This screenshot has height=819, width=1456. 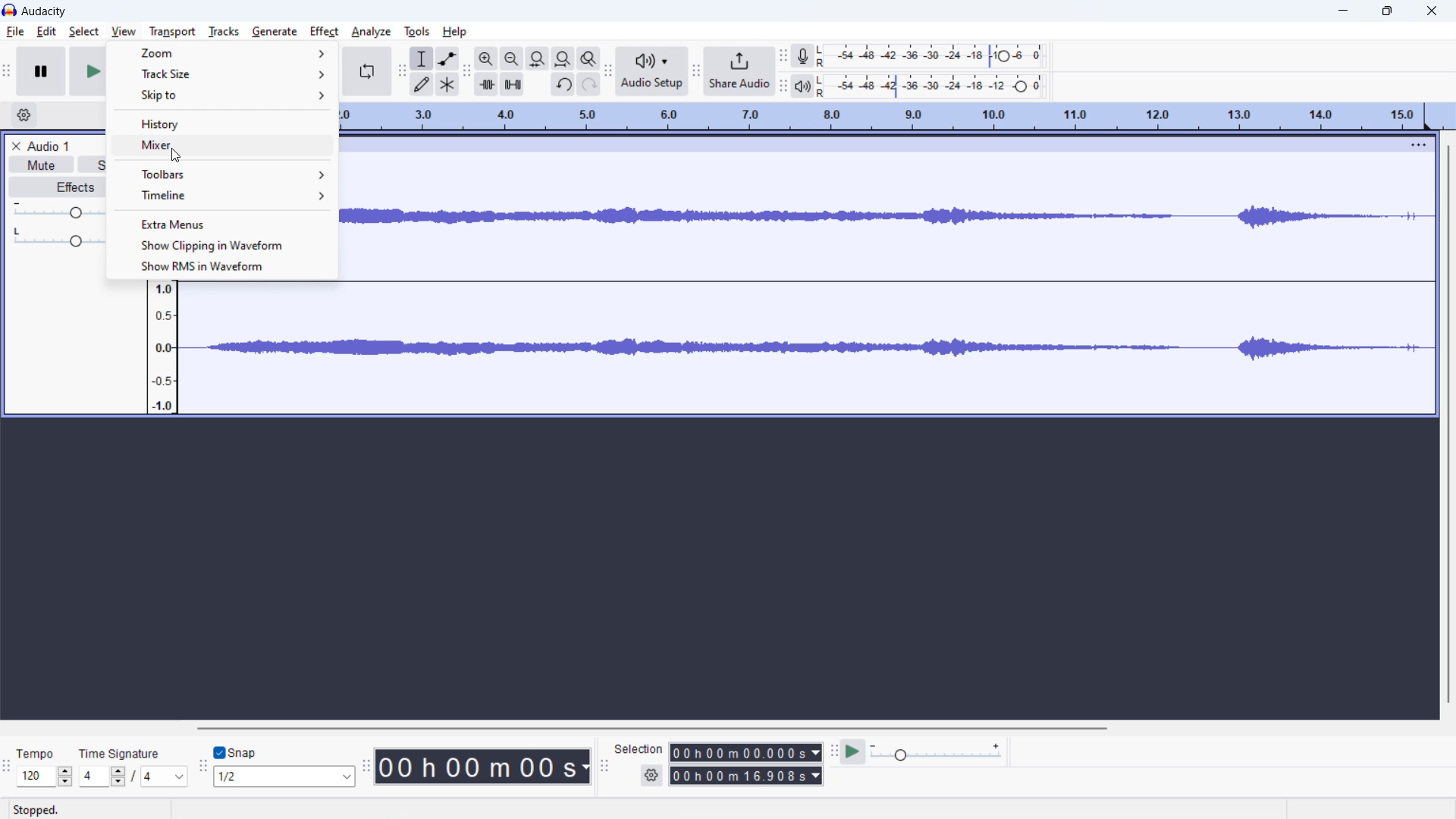 What do you see at coordinates (221, 244) in the screenshot?
I see `show clipping in waveform` at bounding box center [221, 244].